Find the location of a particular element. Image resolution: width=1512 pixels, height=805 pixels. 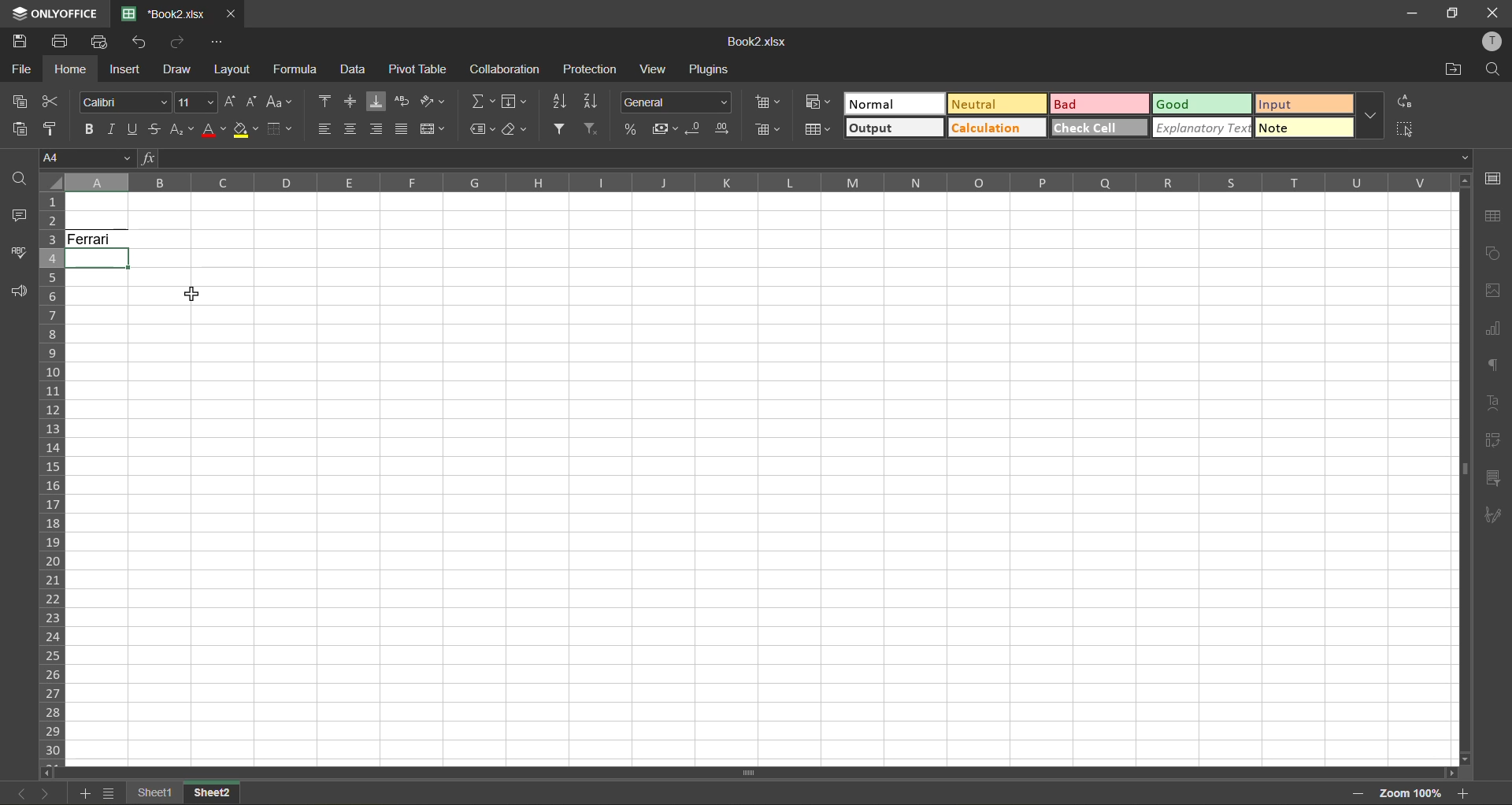

text is located at coordinates (1489, 401).